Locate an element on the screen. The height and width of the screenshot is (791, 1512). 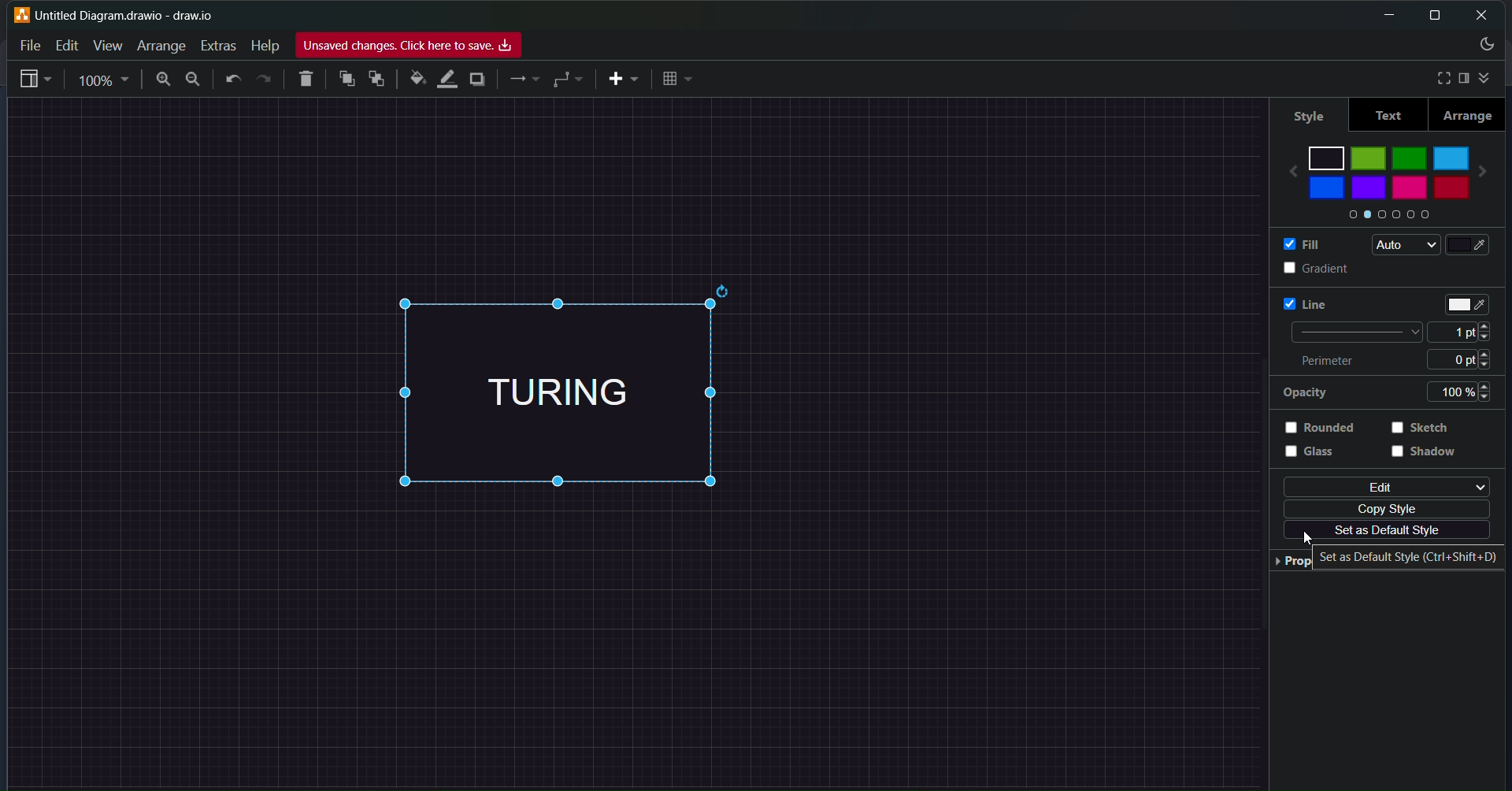
black is located at coordinates (1327, 155).